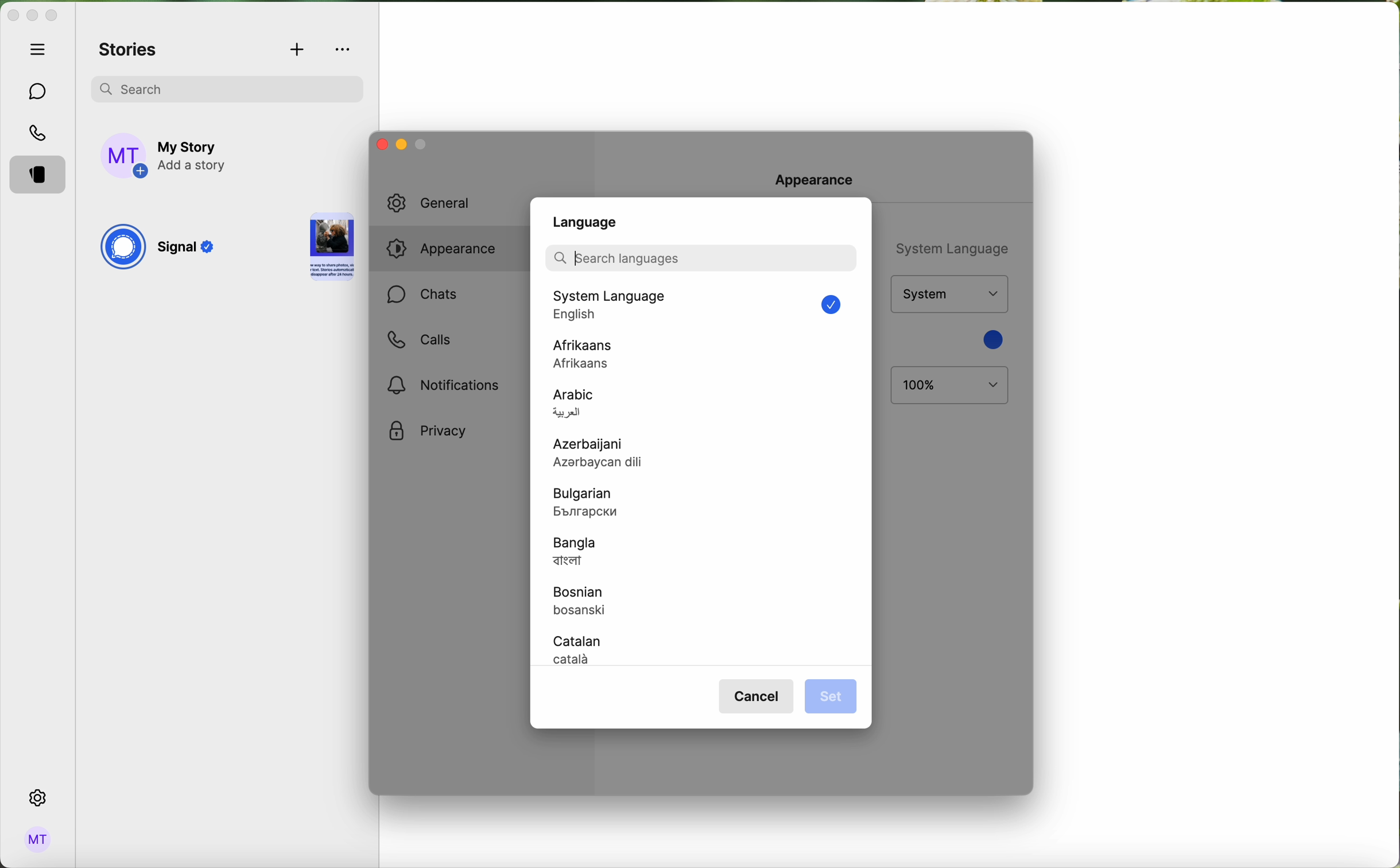 The image size is (1400, 868). Describe the element at coordinates (422, 147) in the screenshot. I see `minimise` at that location.